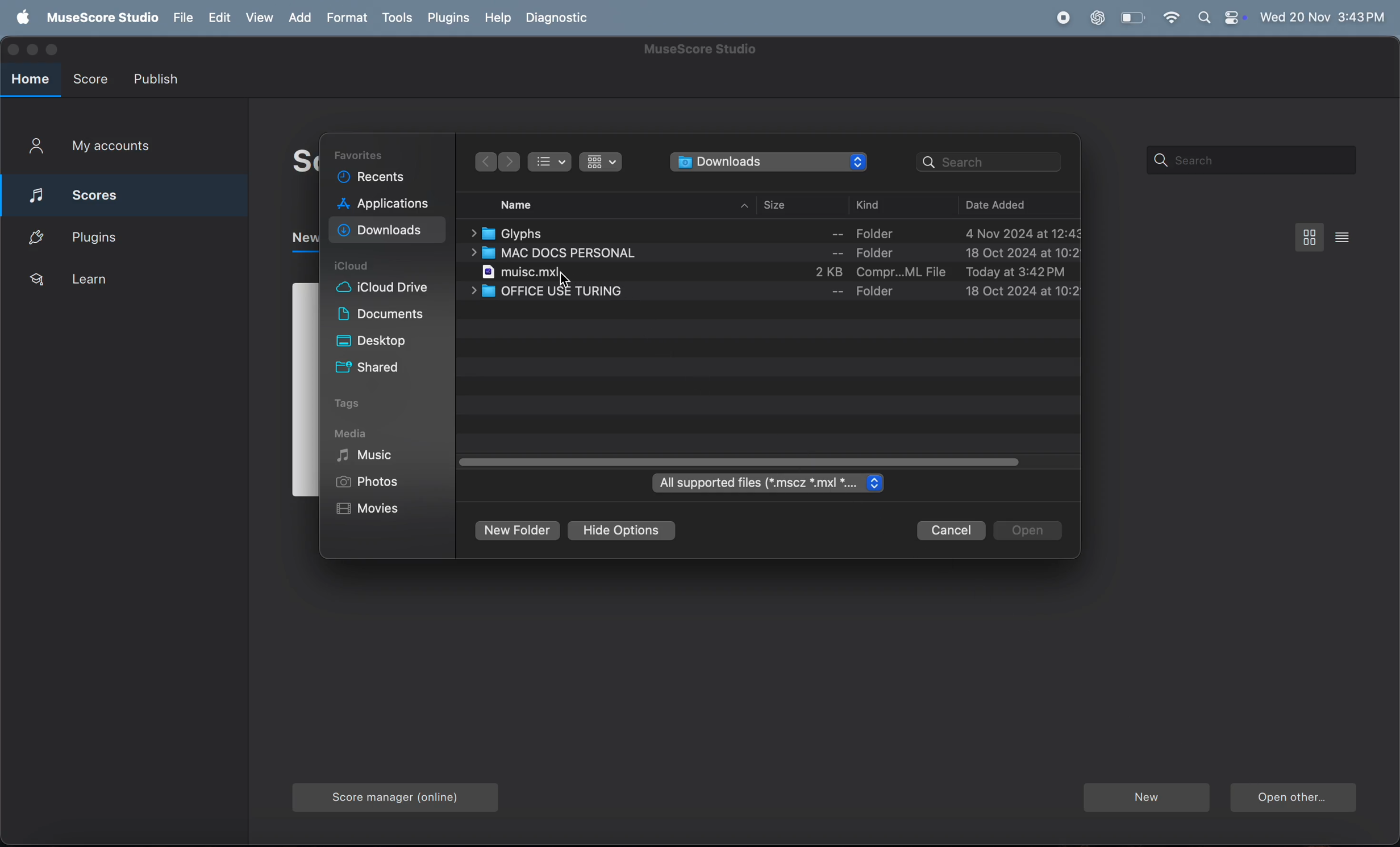 This screenshot has width=1400, height=847. What do you see at coordinates (381, 369) in the screenshot?
I see `shared` at bounding box center [381, 369].